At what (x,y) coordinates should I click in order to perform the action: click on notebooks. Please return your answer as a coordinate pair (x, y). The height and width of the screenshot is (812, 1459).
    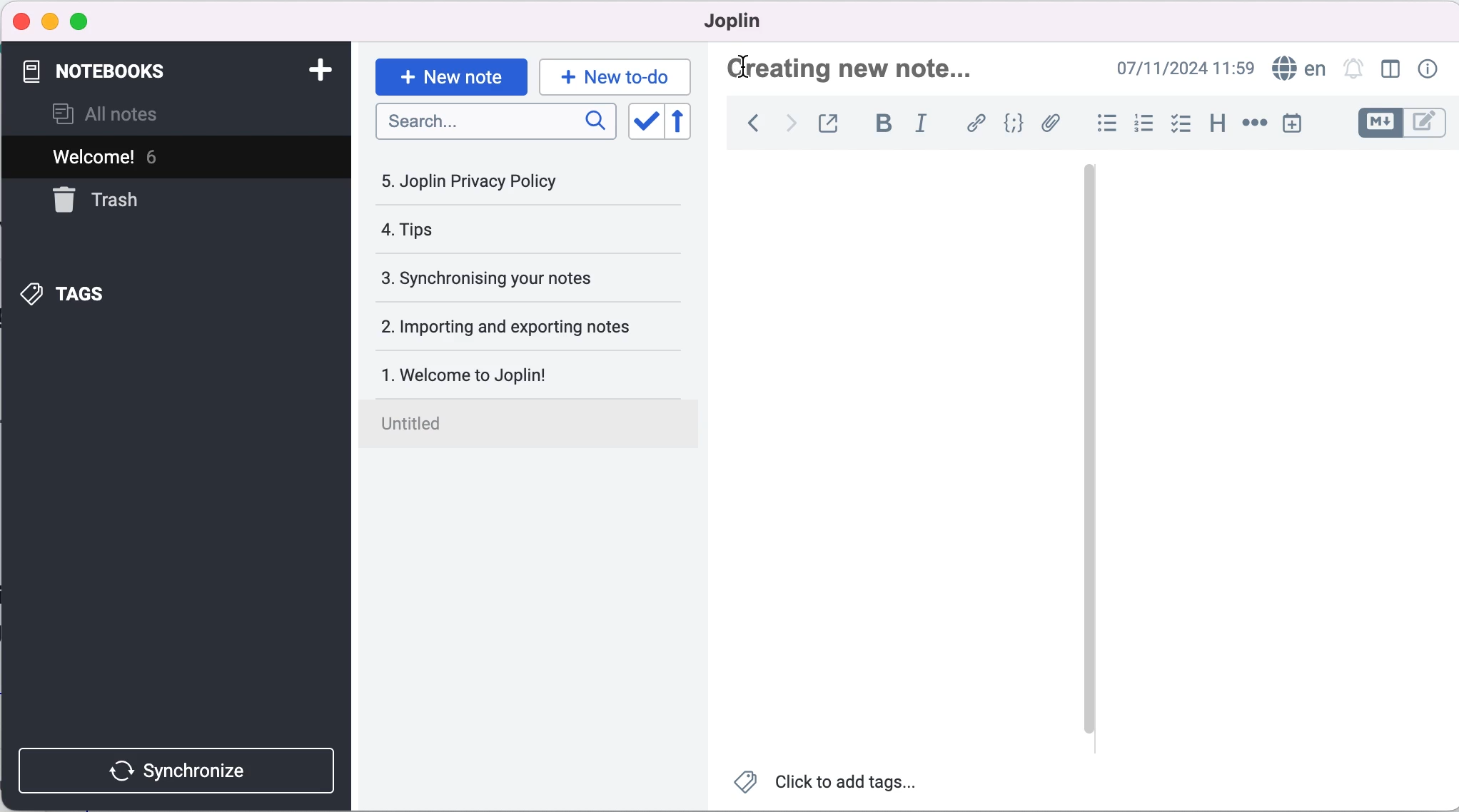
    Looking at the image, I should click on (108, 68).